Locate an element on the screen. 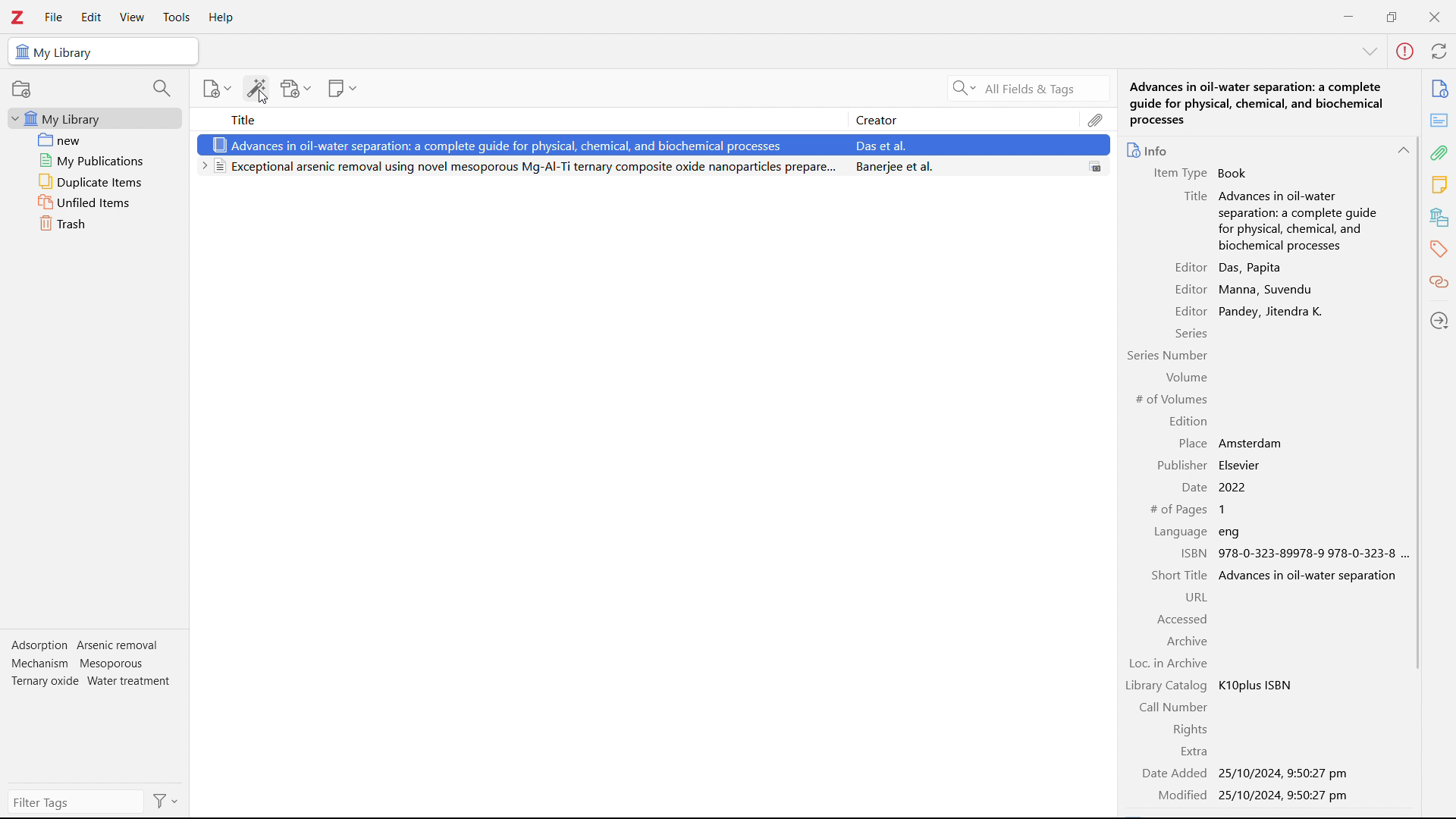 The image size is (1456, 819). reference added using ISBN number is located at coordinates (651, 144).